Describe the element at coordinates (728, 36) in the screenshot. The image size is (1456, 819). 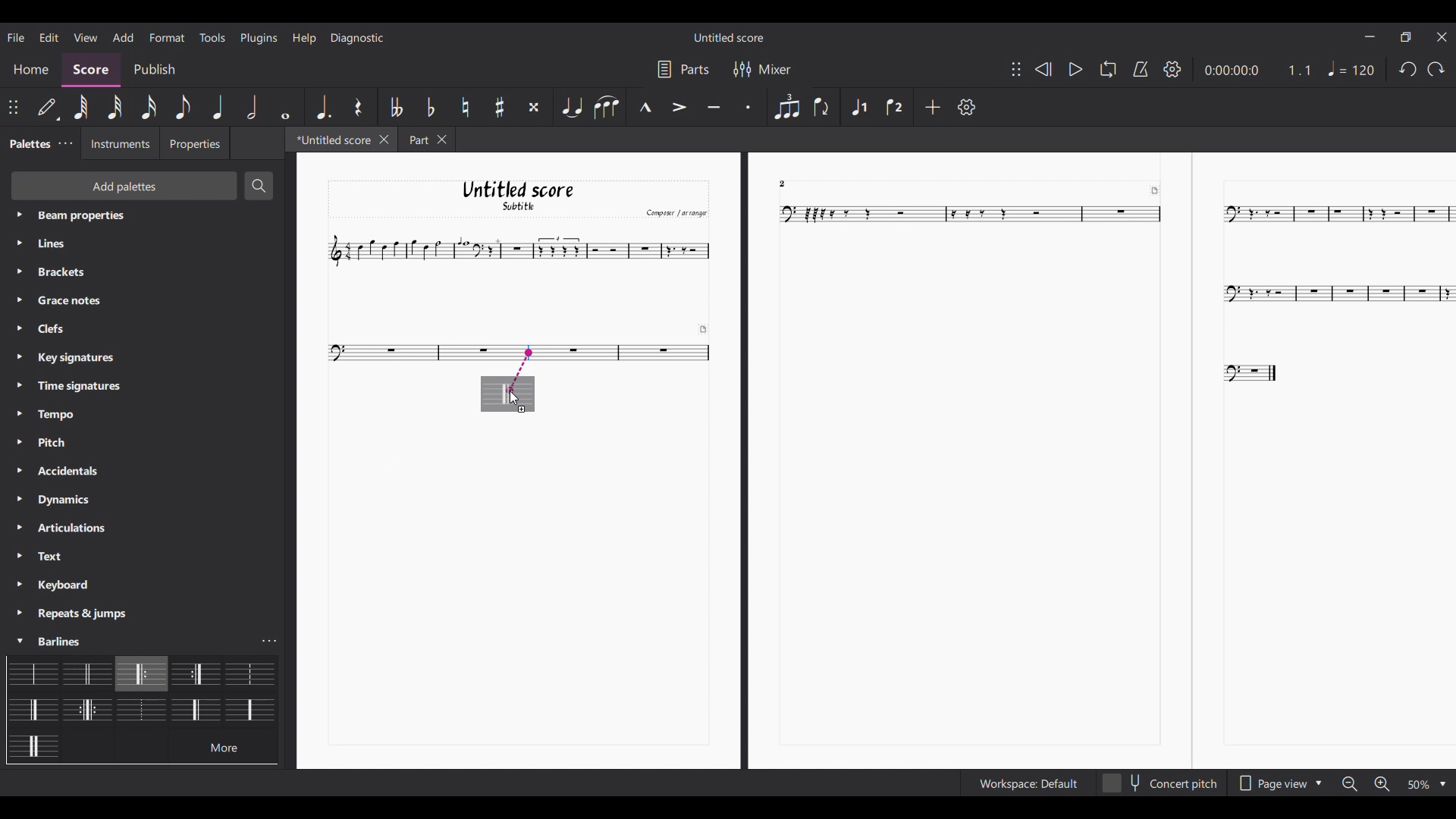
I see `Score title` at that location.